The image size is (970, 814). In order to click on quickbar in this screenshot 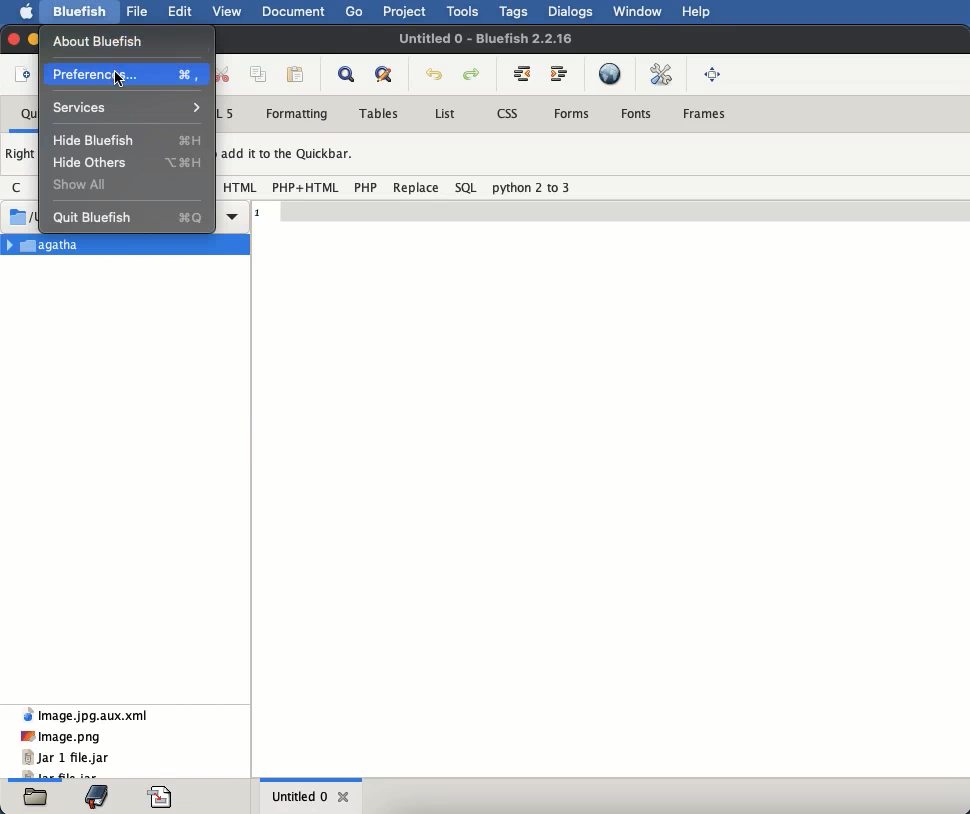, I will do `click(28, 114)`.